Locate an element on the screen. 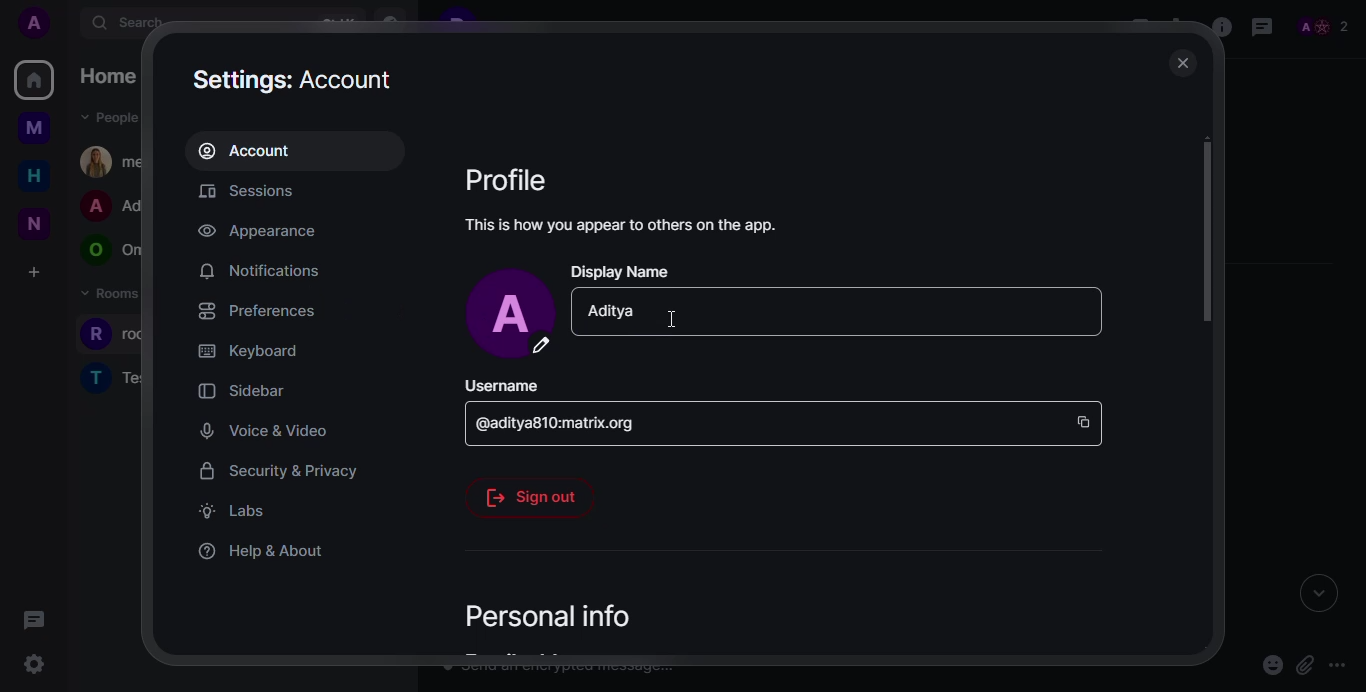 The height and width of the screenshot is (692, 1366). create a space is located at coordinates (33, 274).